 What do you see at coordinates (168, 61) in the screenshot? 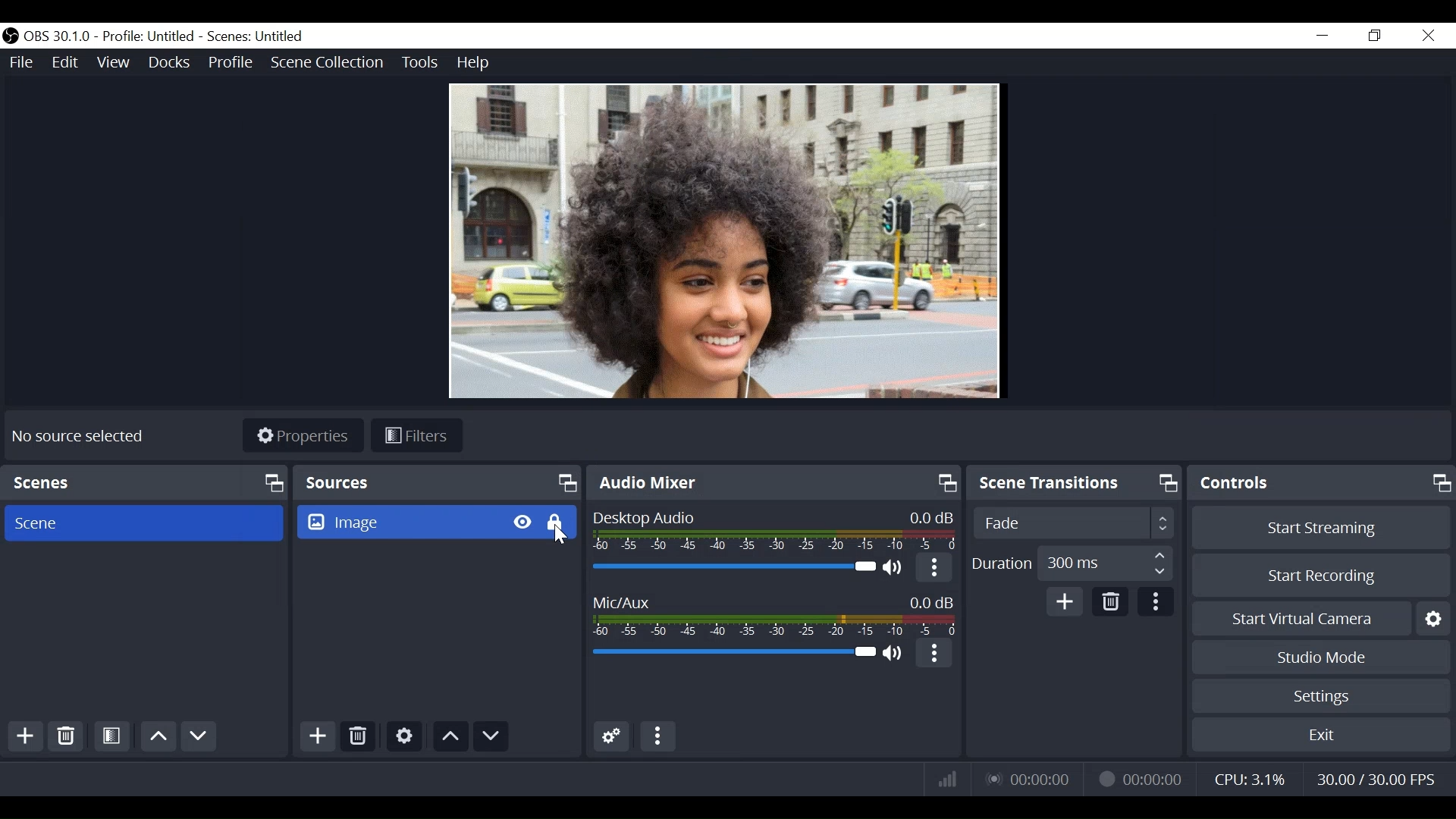
I see `Docks` at bounding box center [168, 61].